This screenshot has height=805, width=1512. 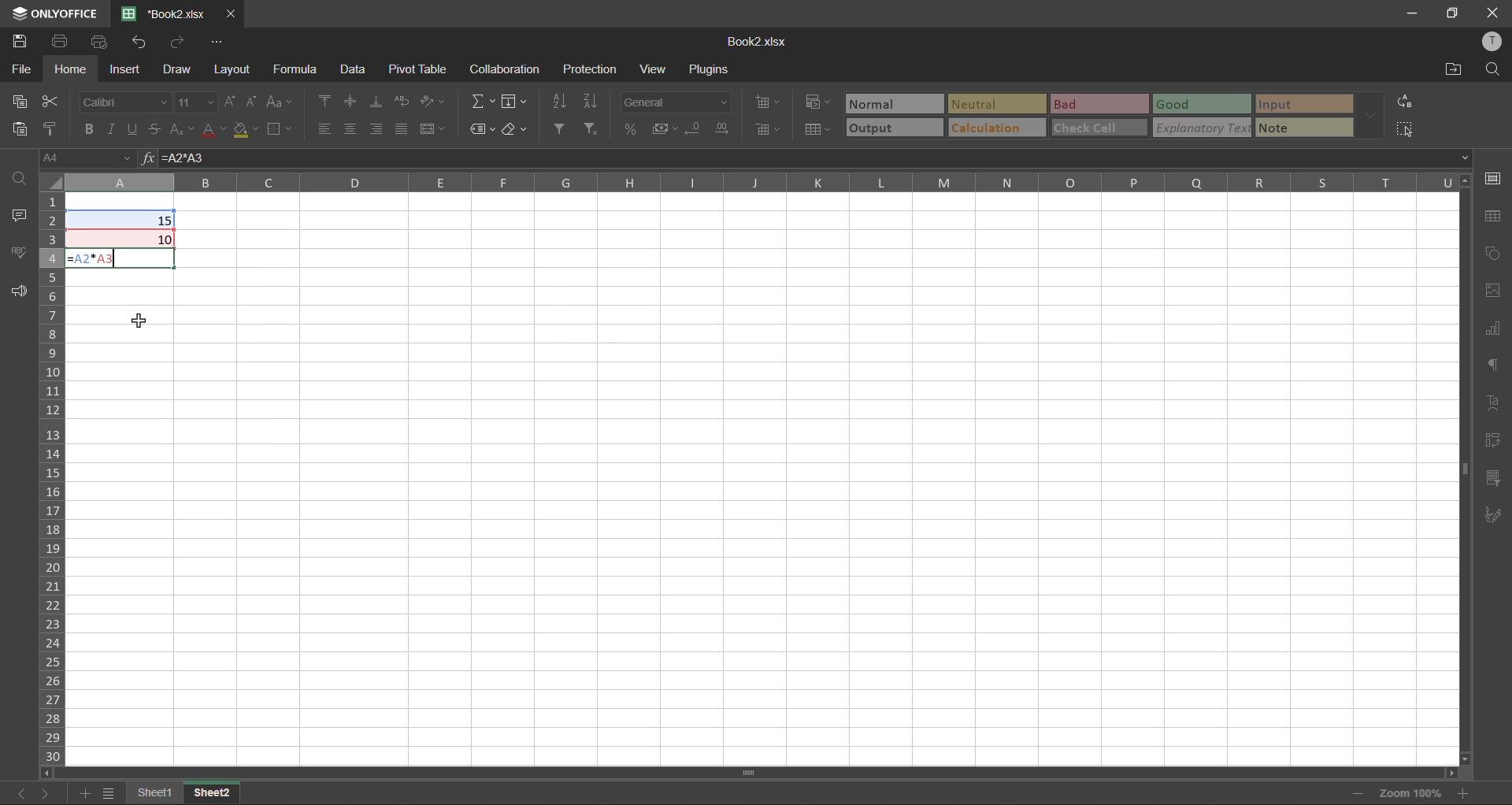 What do you see at coordinates (49, 102) in the screenshot?
I see `cut` at bounding box center [49, 102].